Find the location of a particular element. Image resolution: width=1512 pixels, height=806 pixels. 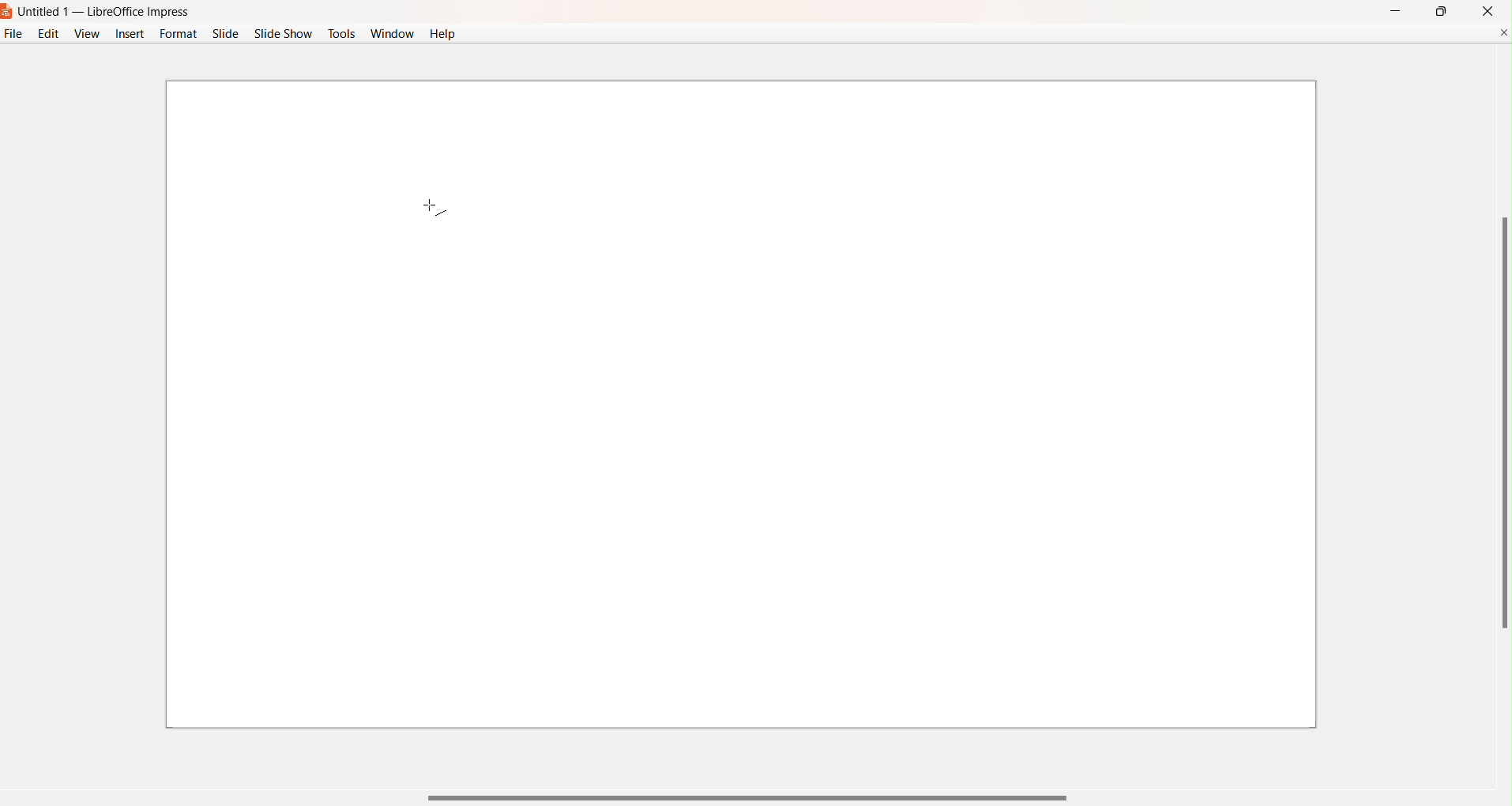

Slide Show is located at coordinates (284, 34).